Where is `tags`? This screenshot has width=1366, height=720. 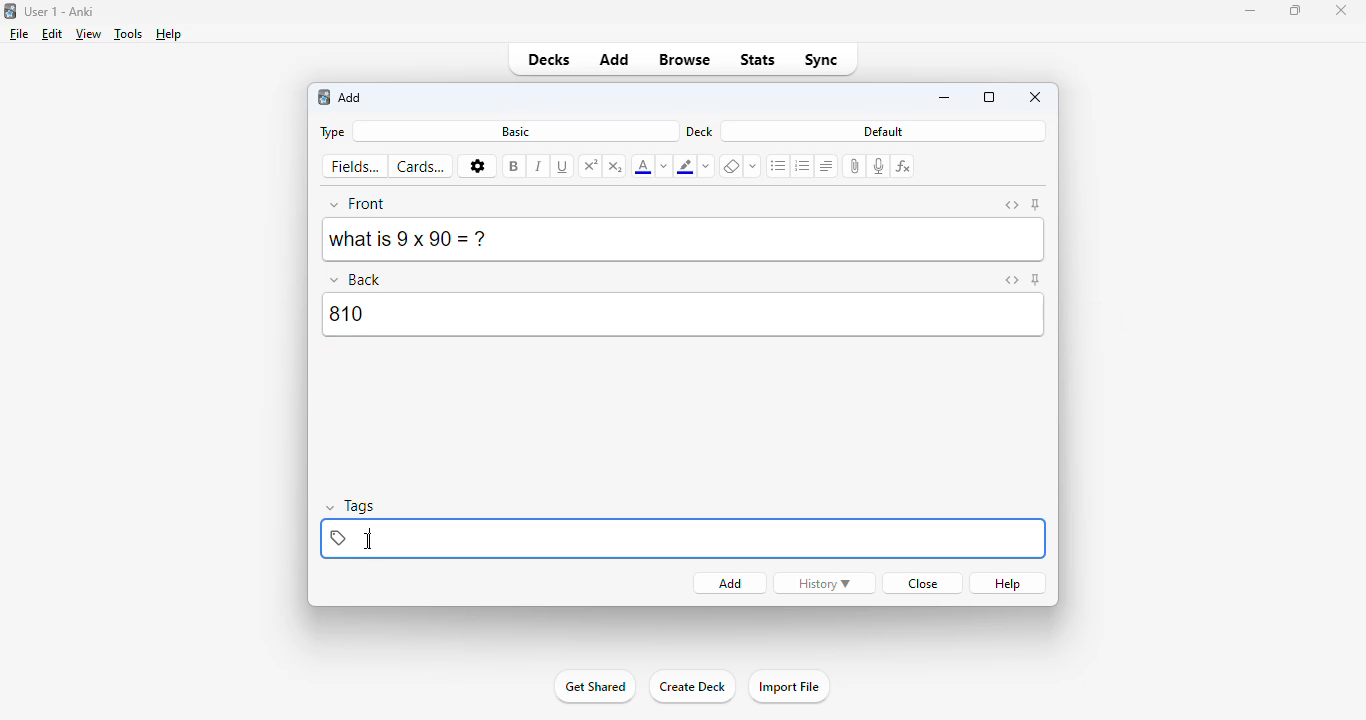
tags is located at coordinates (353, 507).